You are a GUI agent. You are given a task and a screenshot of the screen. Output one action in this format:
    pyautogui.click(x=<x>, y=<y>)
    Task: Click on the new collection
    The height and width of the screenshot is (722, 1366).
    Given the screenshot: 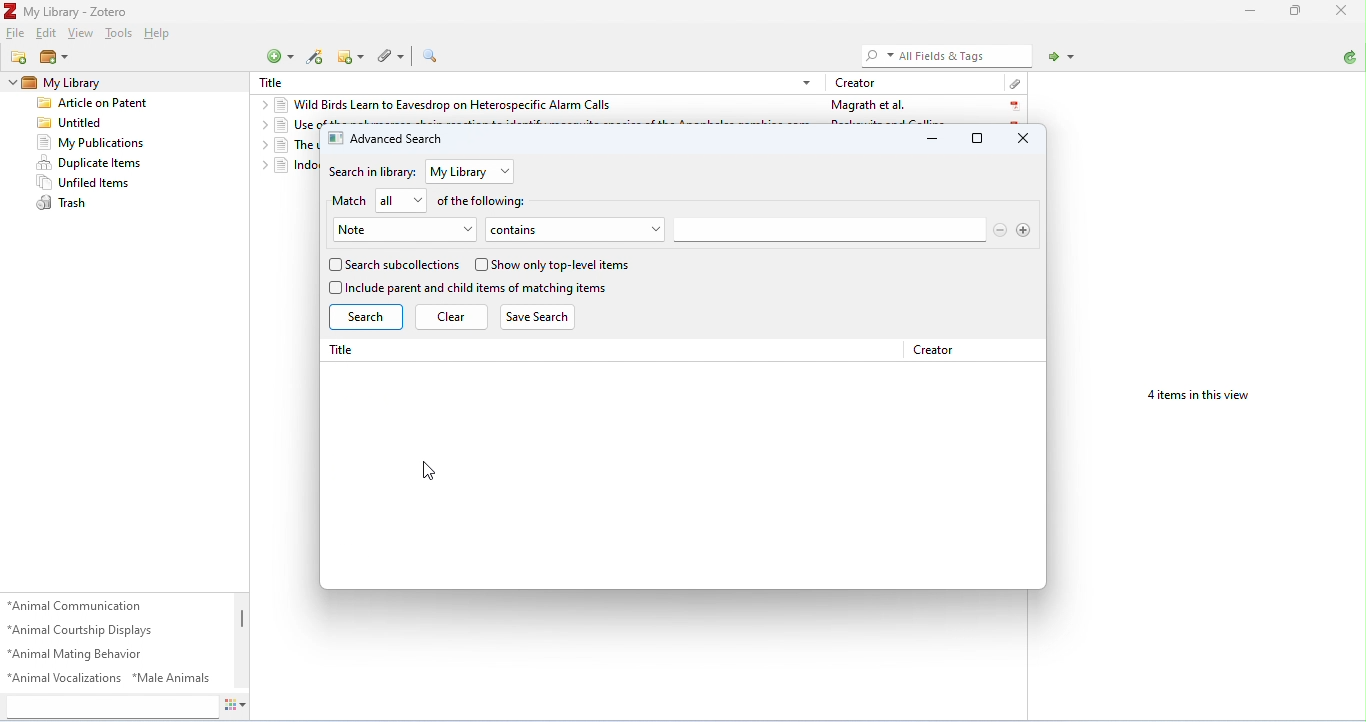 What is the action you would take?
    pyautogui.click(x=20, y=57)
    